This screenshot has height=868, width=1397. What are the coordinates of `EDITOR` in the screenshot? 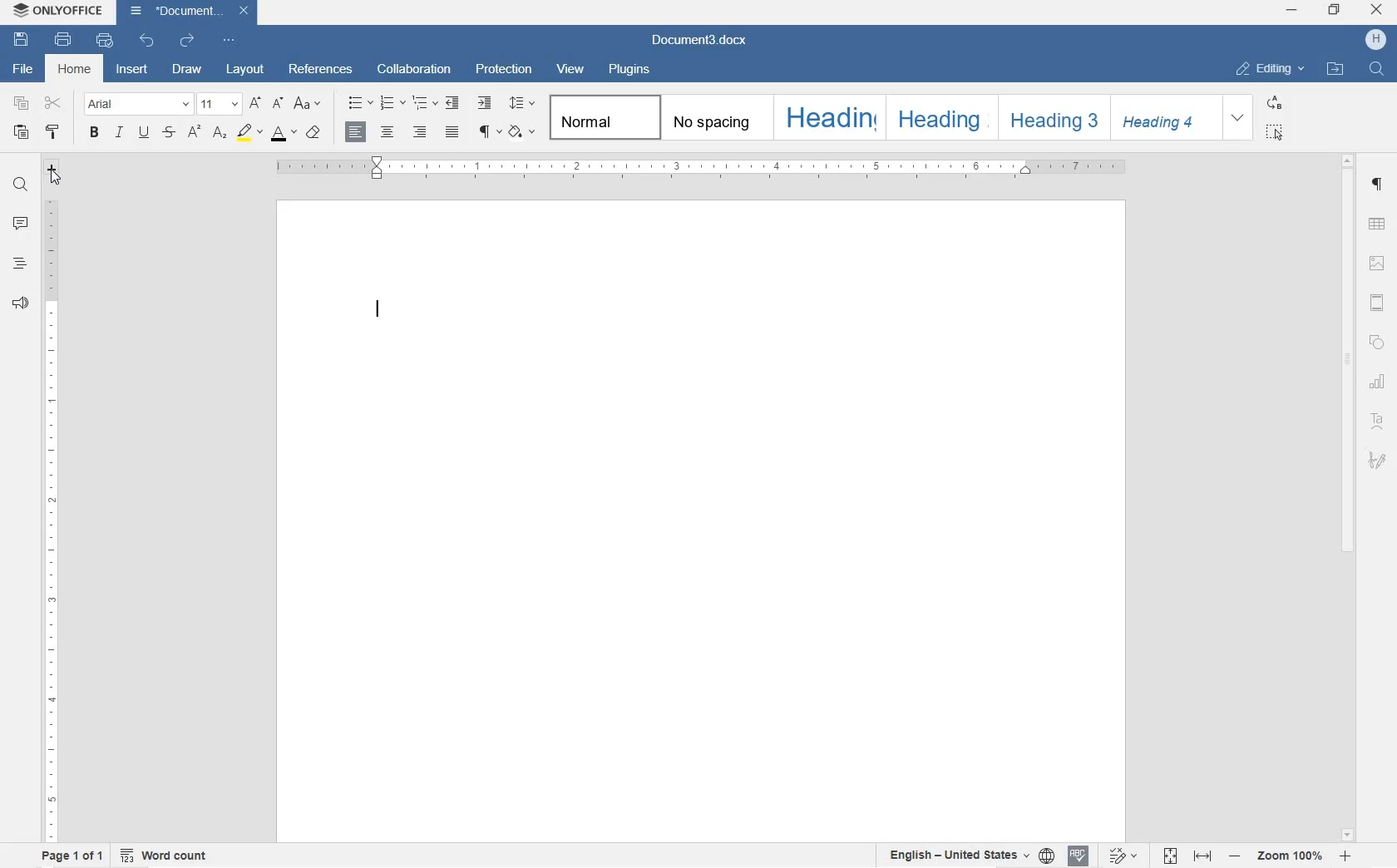 It's located at (380, 308).